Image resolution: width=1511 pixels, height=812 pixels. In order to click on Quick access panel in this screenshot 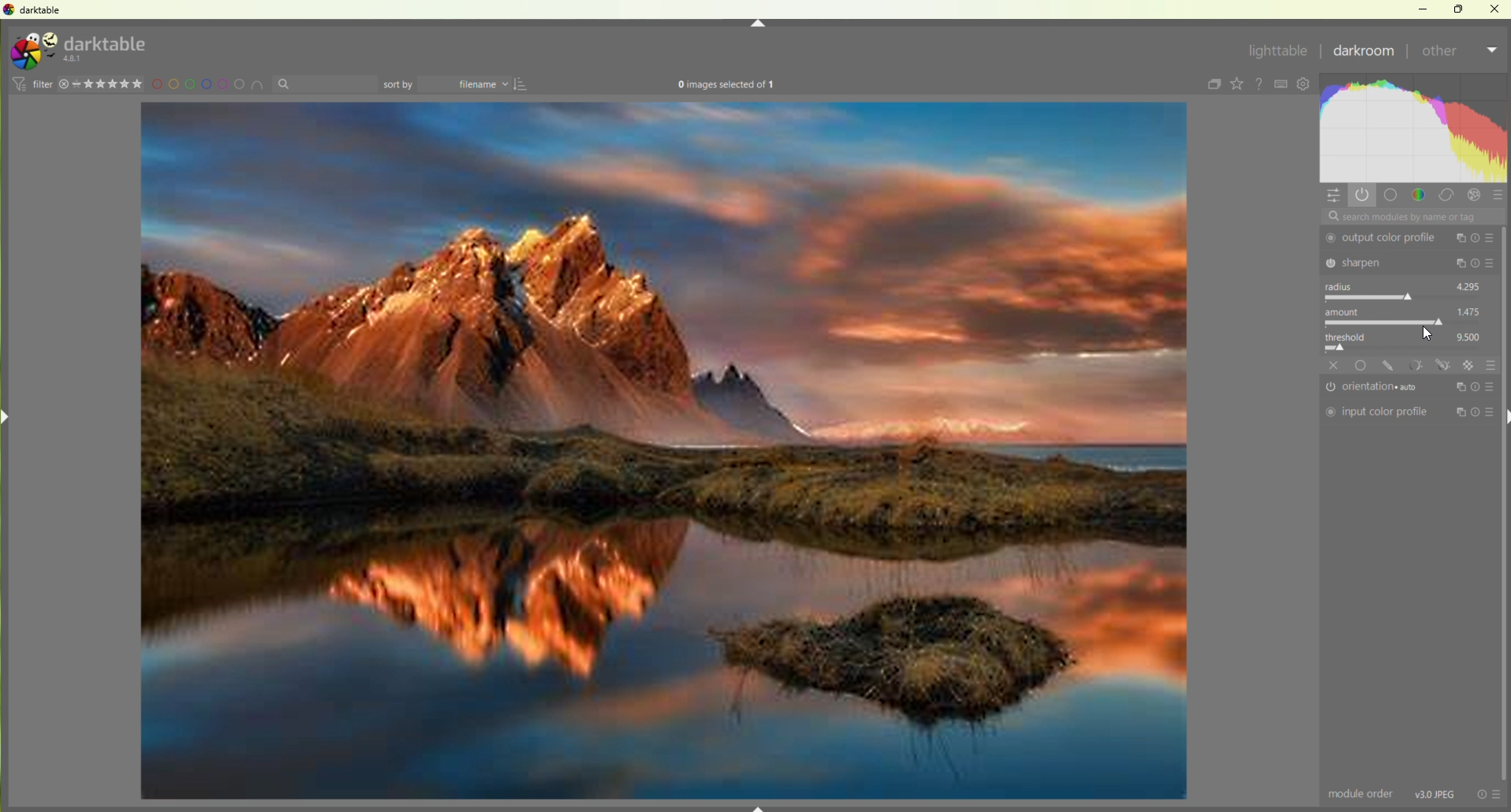, I will do `click(1334, 196)`.